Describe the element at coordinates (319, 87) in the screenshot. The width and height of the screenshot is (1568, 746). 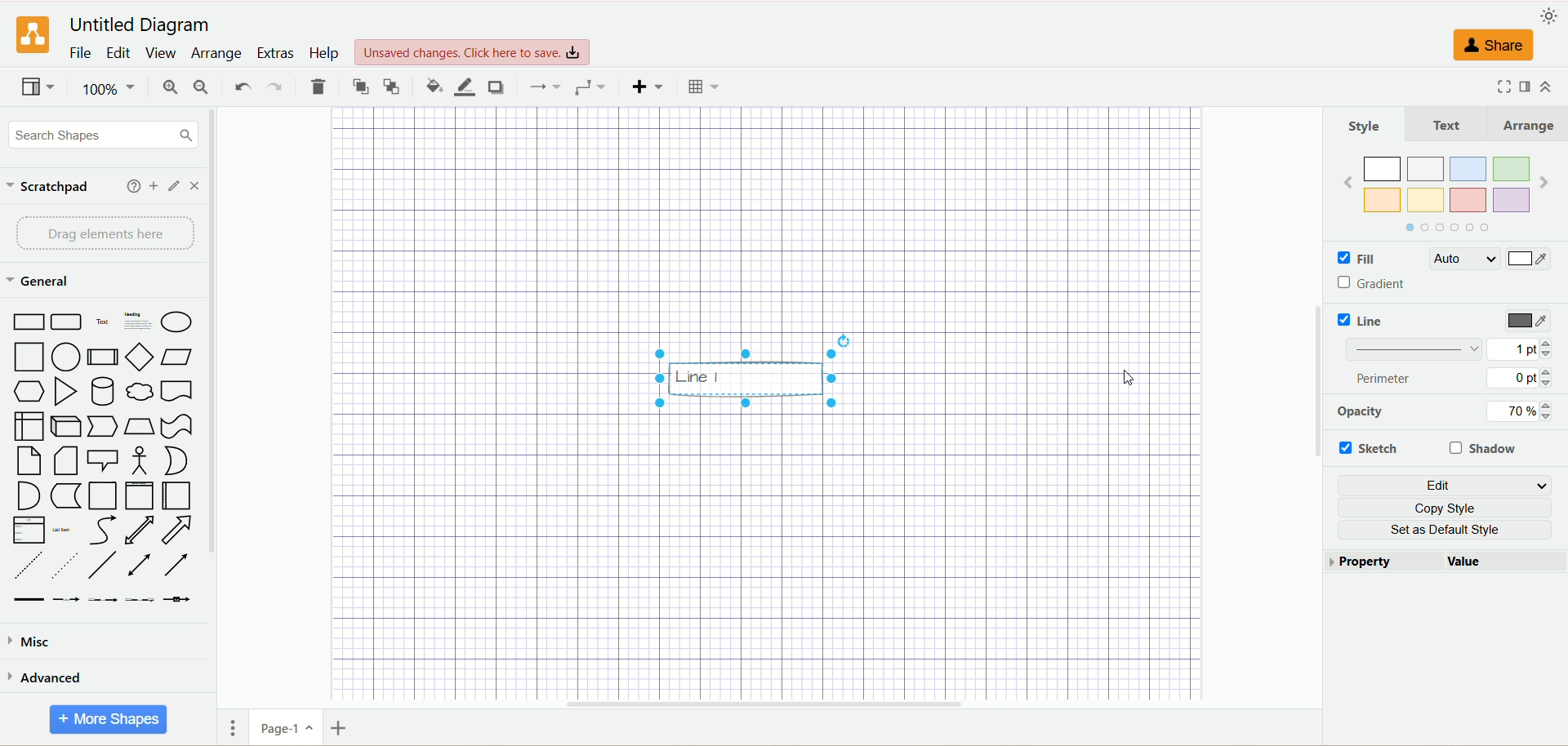
I see `delete` at that location.